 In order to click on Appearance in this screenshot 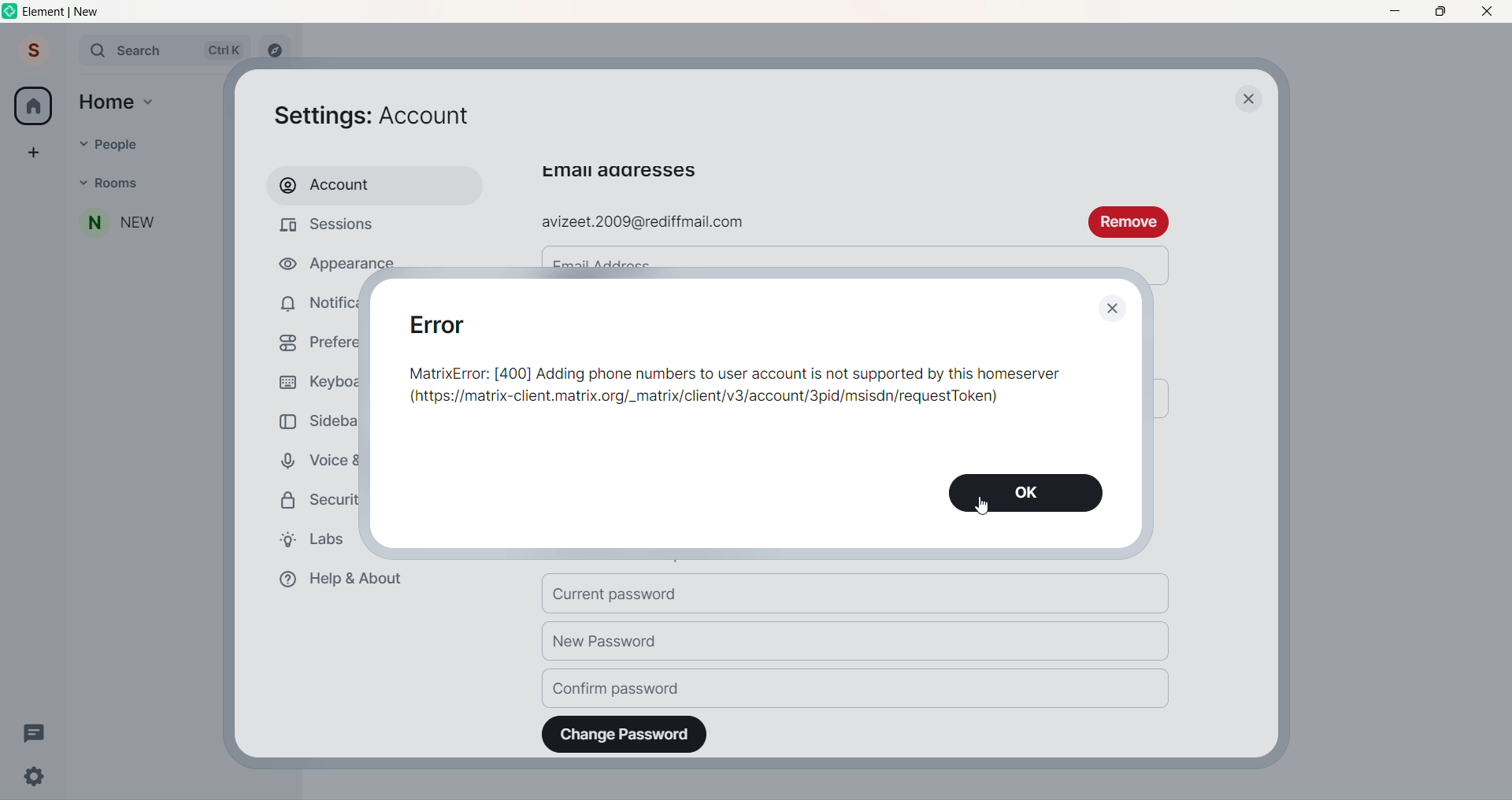, I will do `click(314, 265)`.